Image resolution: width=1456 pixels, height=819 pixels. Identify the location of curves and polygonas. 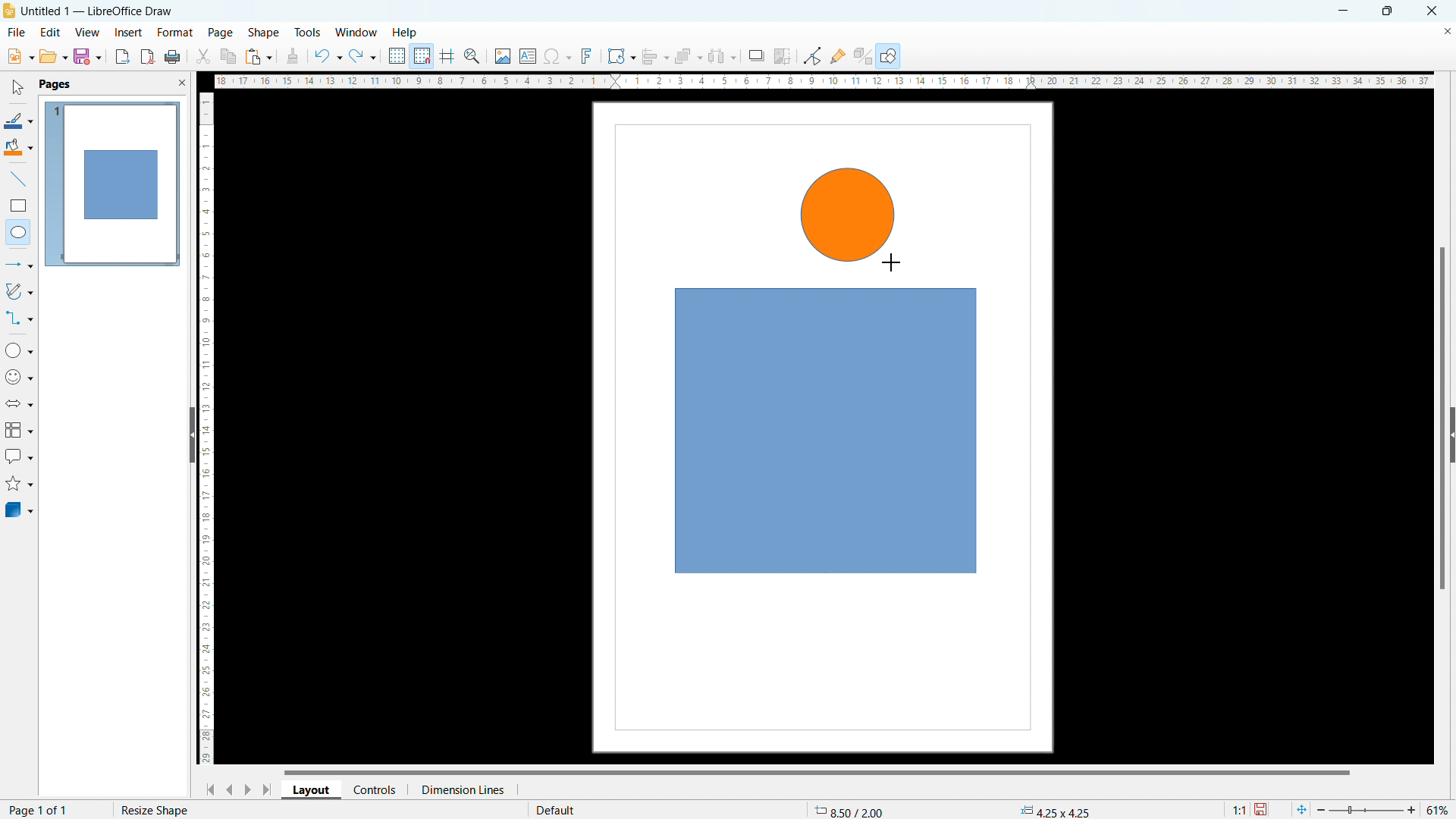
(19, 290).